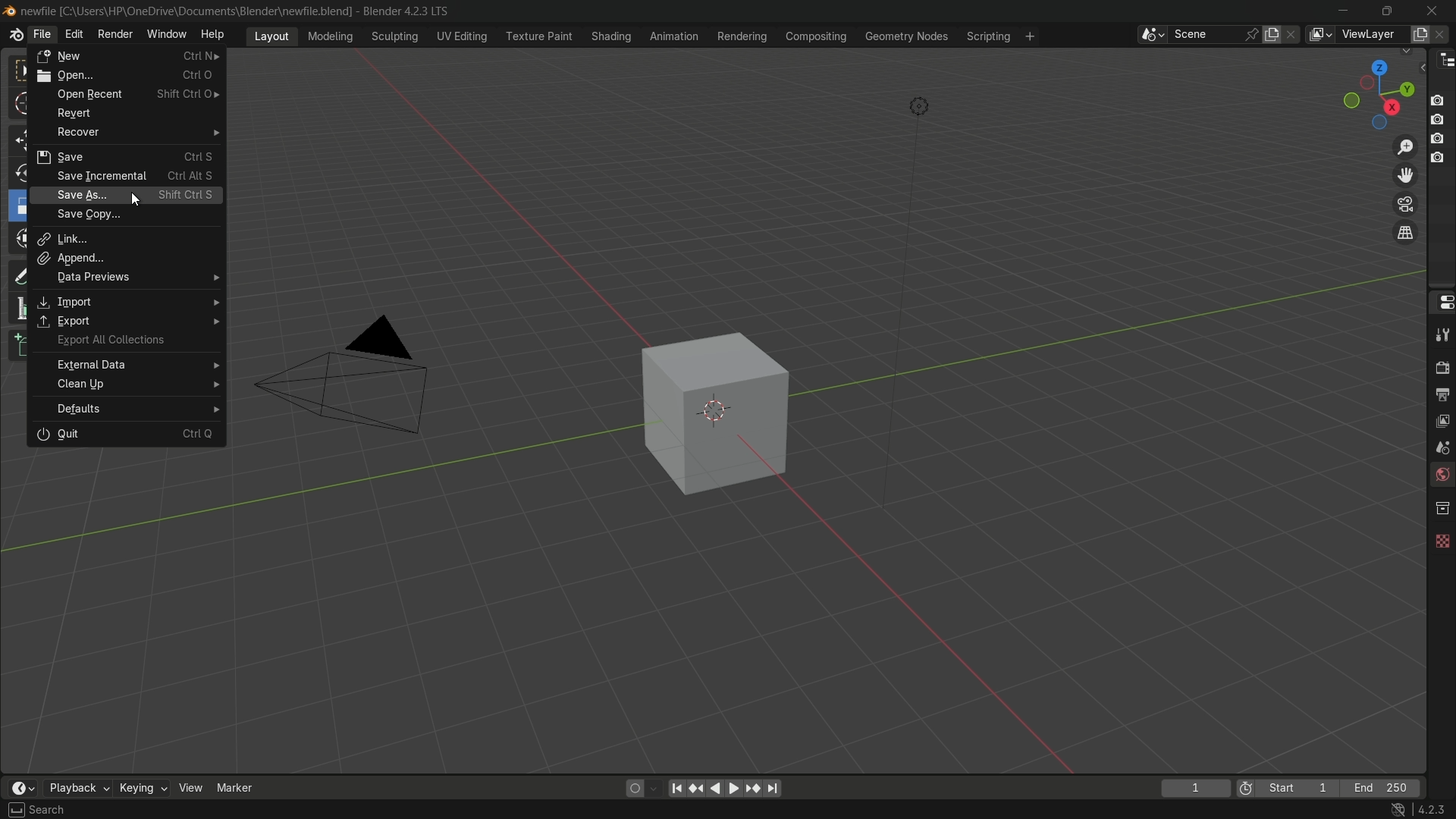  Describe the element at coordinates (126, 256) in the screenshot. I see `append` at that location.